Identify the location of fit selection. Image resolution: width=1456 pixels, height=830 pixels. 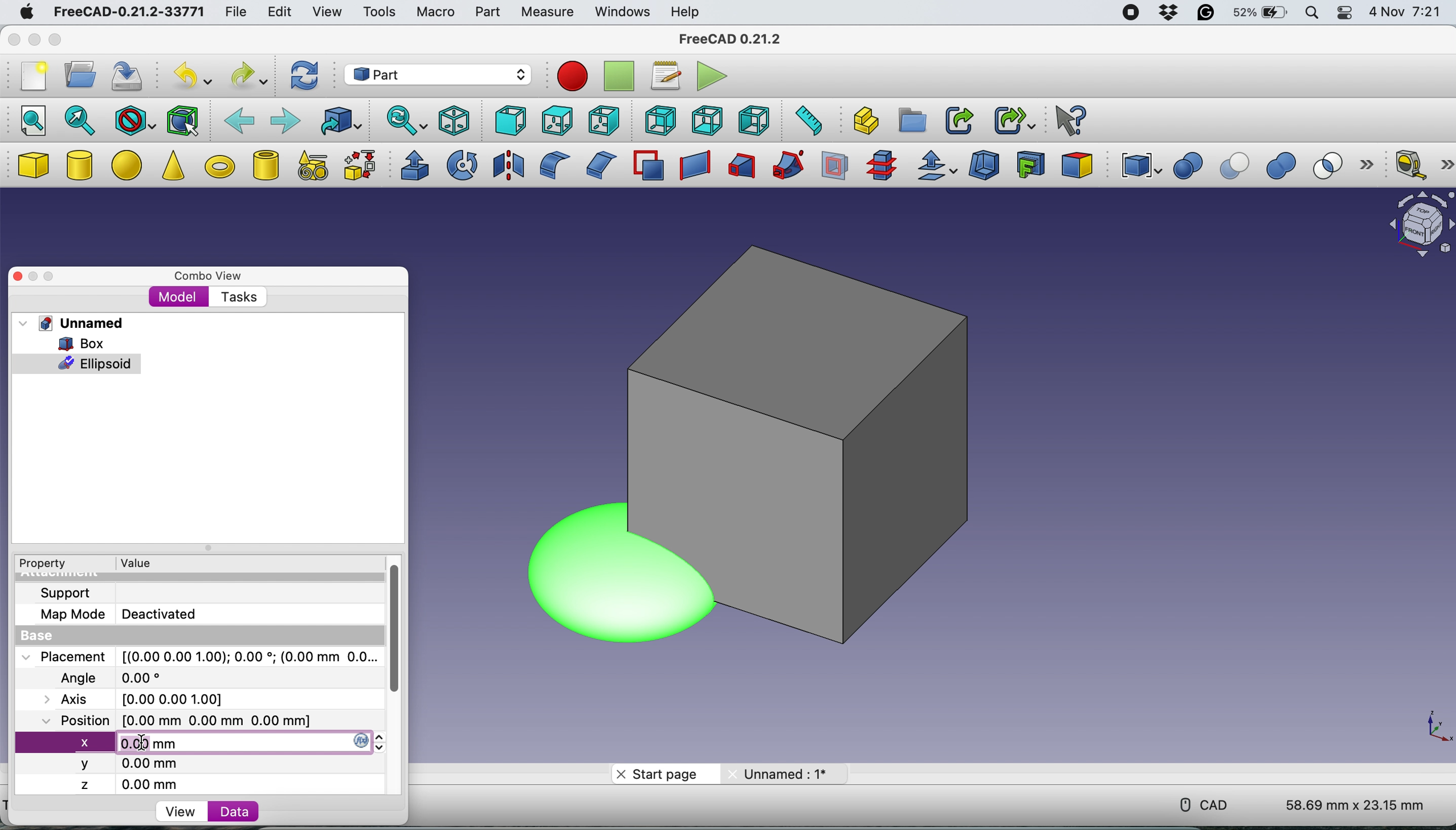
(80, 120).